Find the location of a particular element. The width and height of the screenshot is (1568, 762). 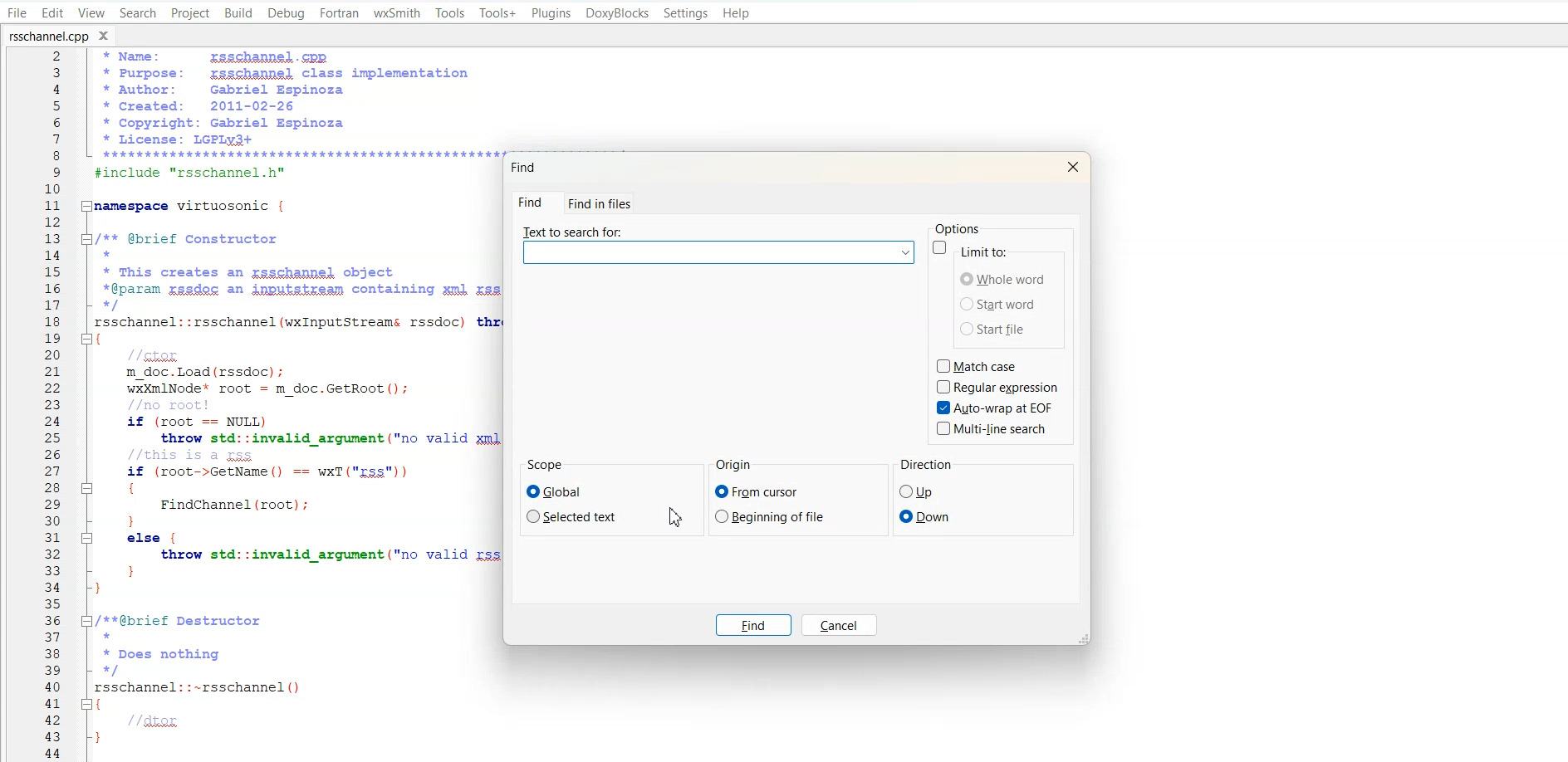

Text to search for is located at coordinates (718, 246).